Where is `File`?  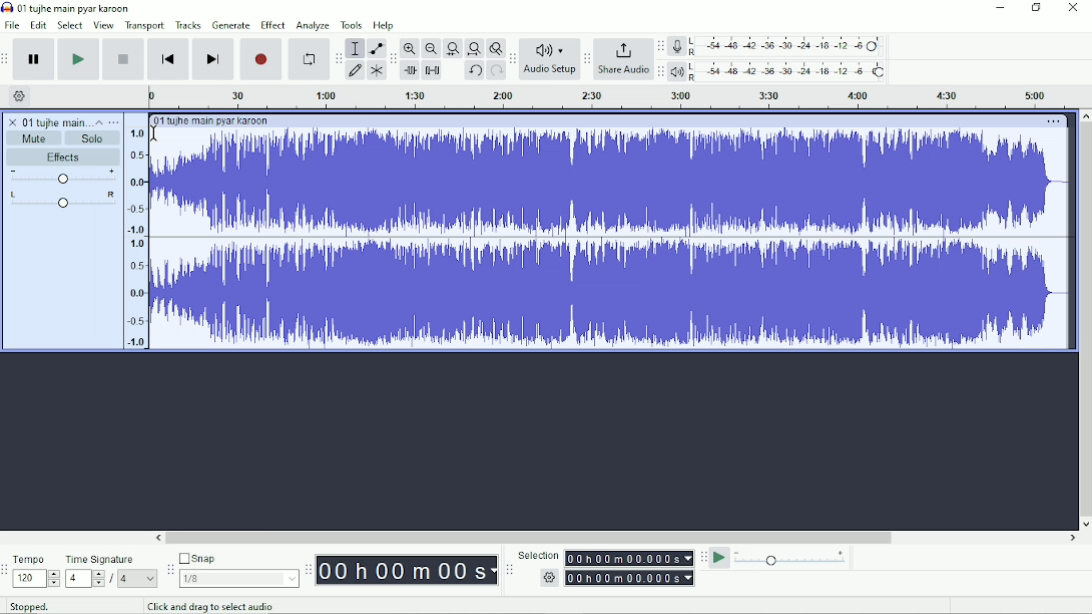
File is located at coordinates (12, 25).